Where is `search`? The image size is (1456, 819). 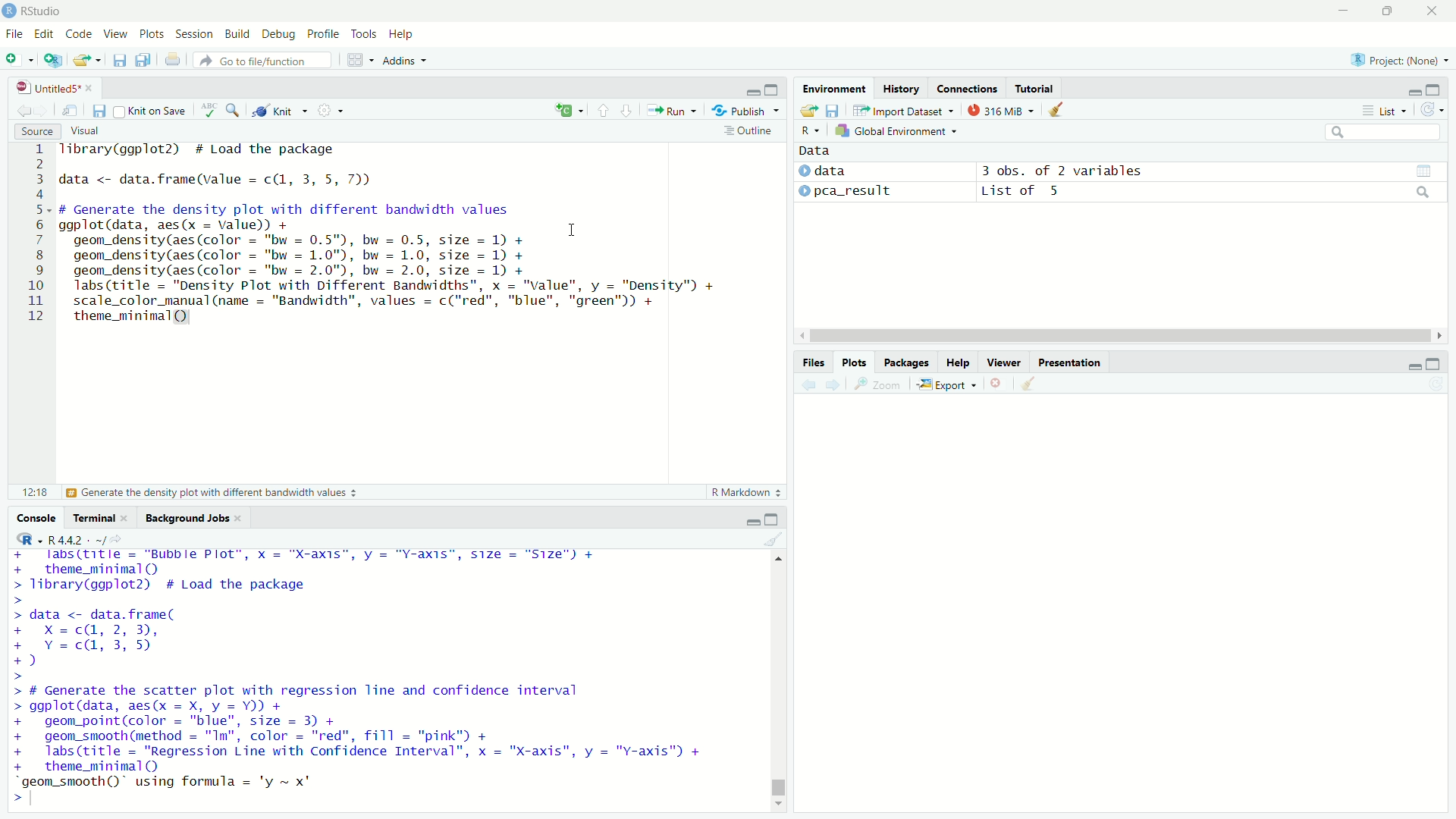 search is located at coordinates (1424, 192).